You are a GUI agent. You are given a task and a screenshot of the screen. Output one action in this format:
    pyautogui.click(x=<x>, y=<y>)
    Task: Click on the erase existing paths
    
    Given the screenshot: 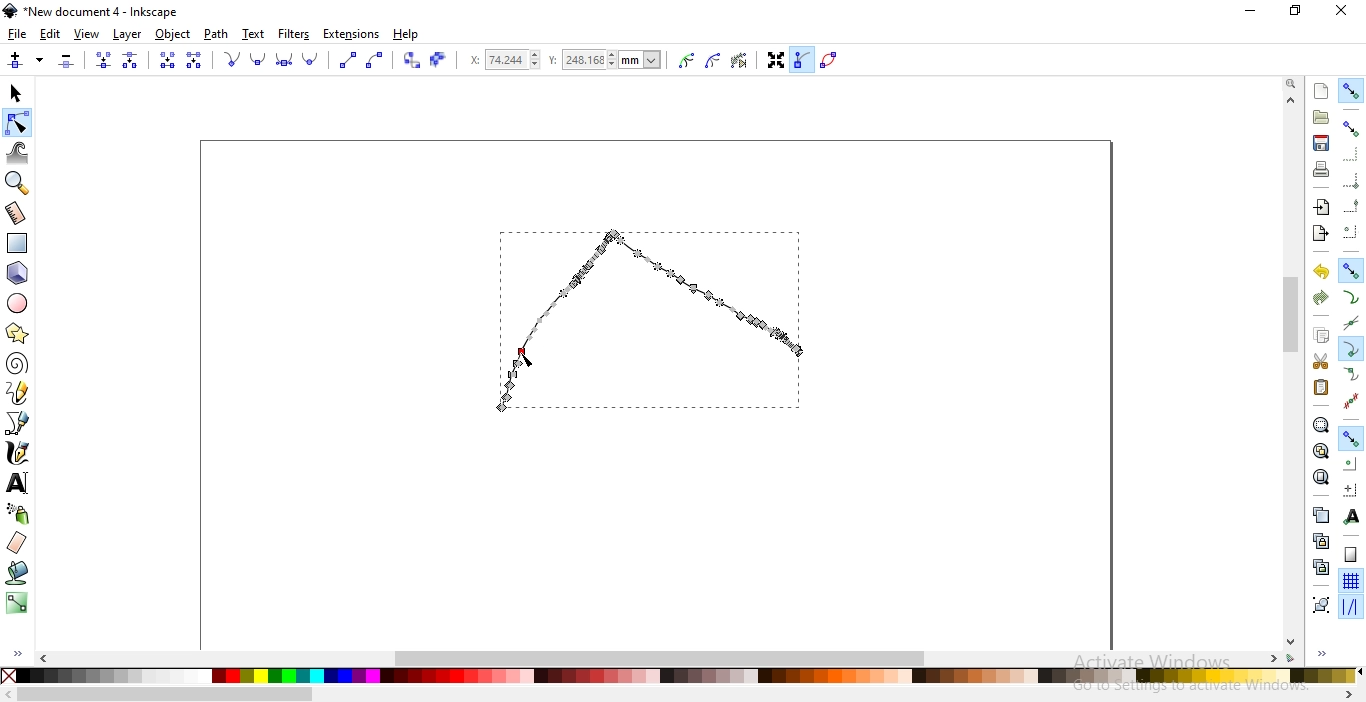 What is the action you would take?
    pyautogui.click(x=17, y=542)
    